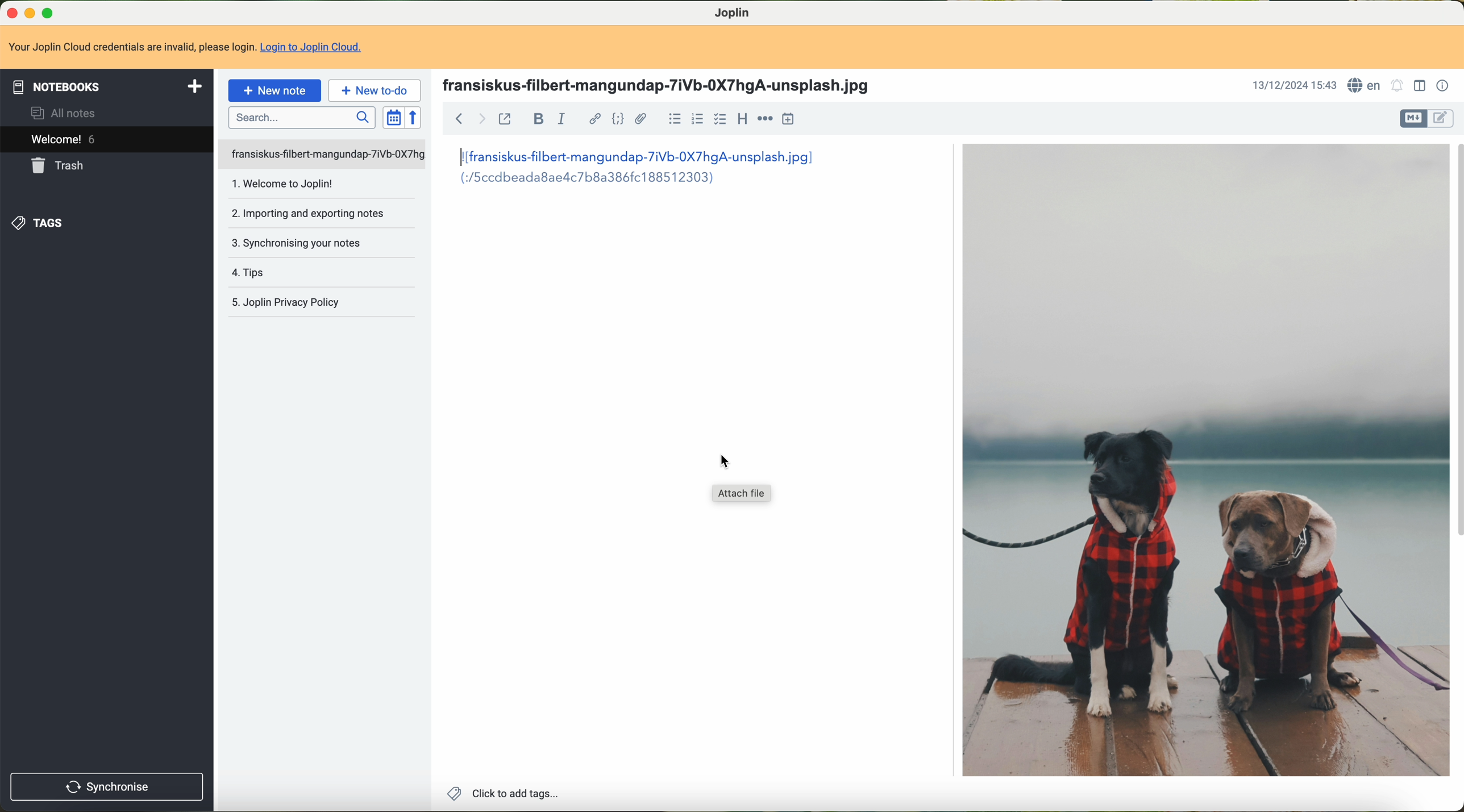 This screenshot has height=812, width=1464. What do you see at coordinates (677, 119) in the screenshot?
I see `bulleted list` at bounding box center [677, 119].